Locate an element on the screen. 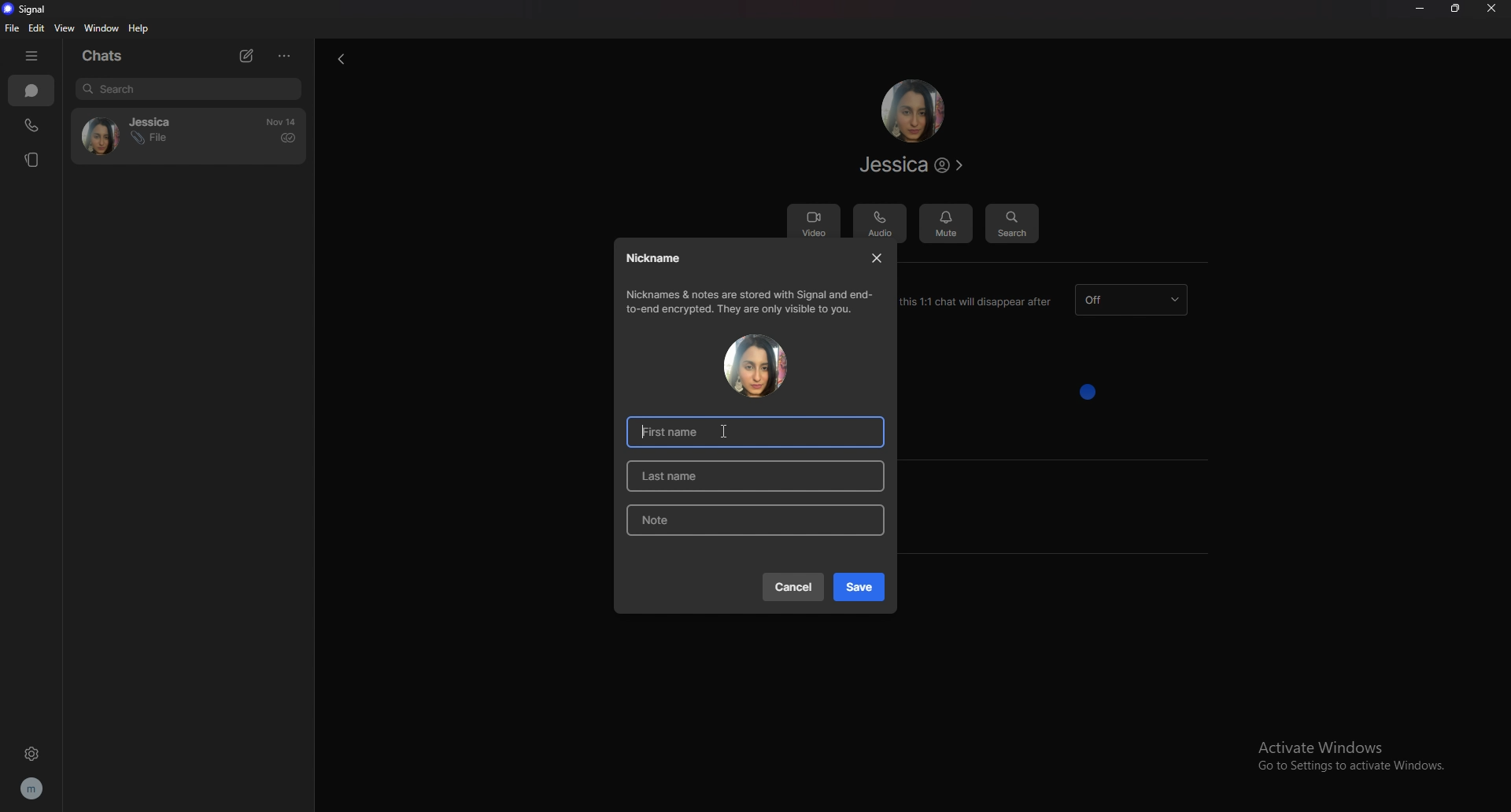  first name is located at coordinates (756, 430).